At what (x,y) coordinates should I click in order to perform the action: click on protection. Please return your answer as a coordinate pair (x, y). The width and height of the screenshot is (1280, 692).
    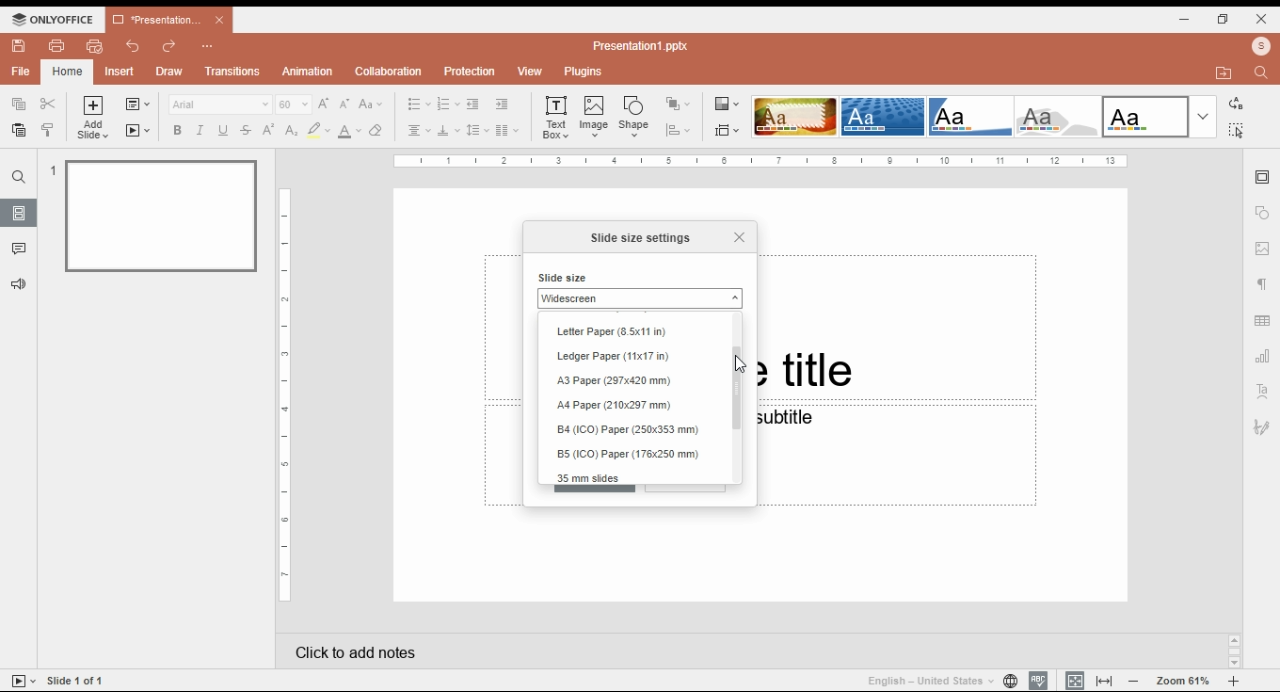
    Looking at the image, I should click on (469, 72).